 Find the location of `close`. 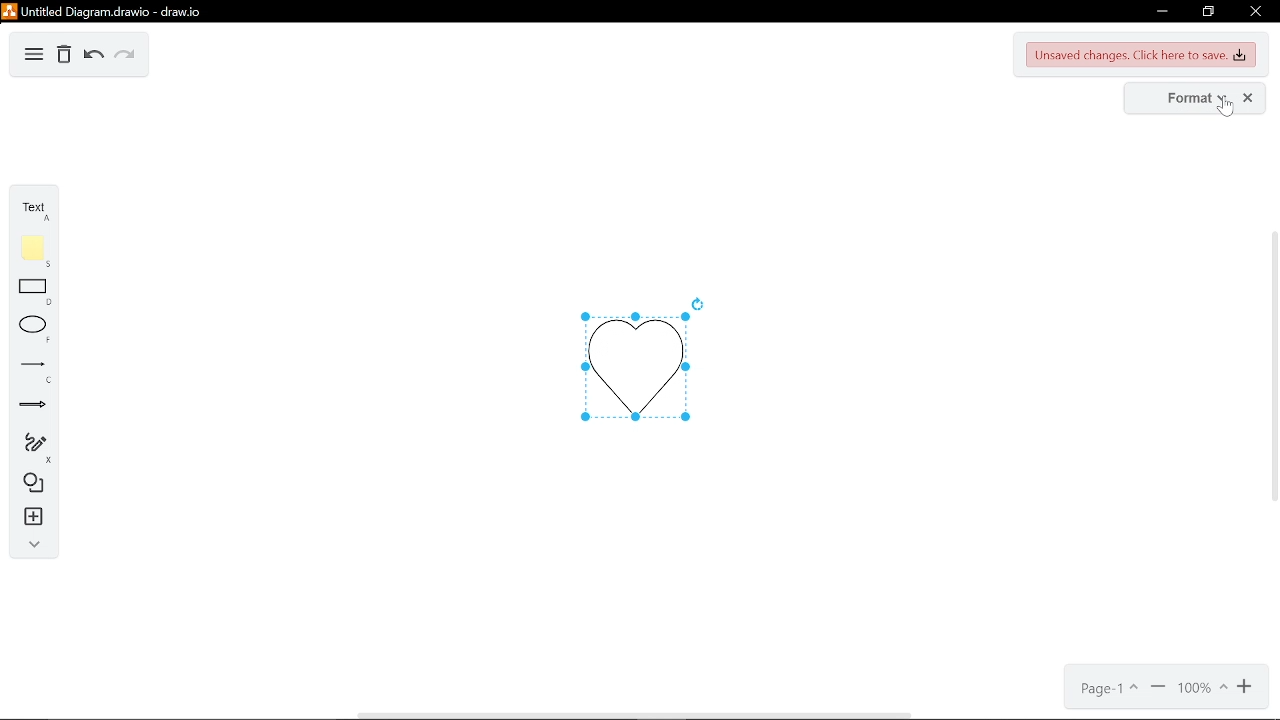

close is located at coordinates (1251, 100).